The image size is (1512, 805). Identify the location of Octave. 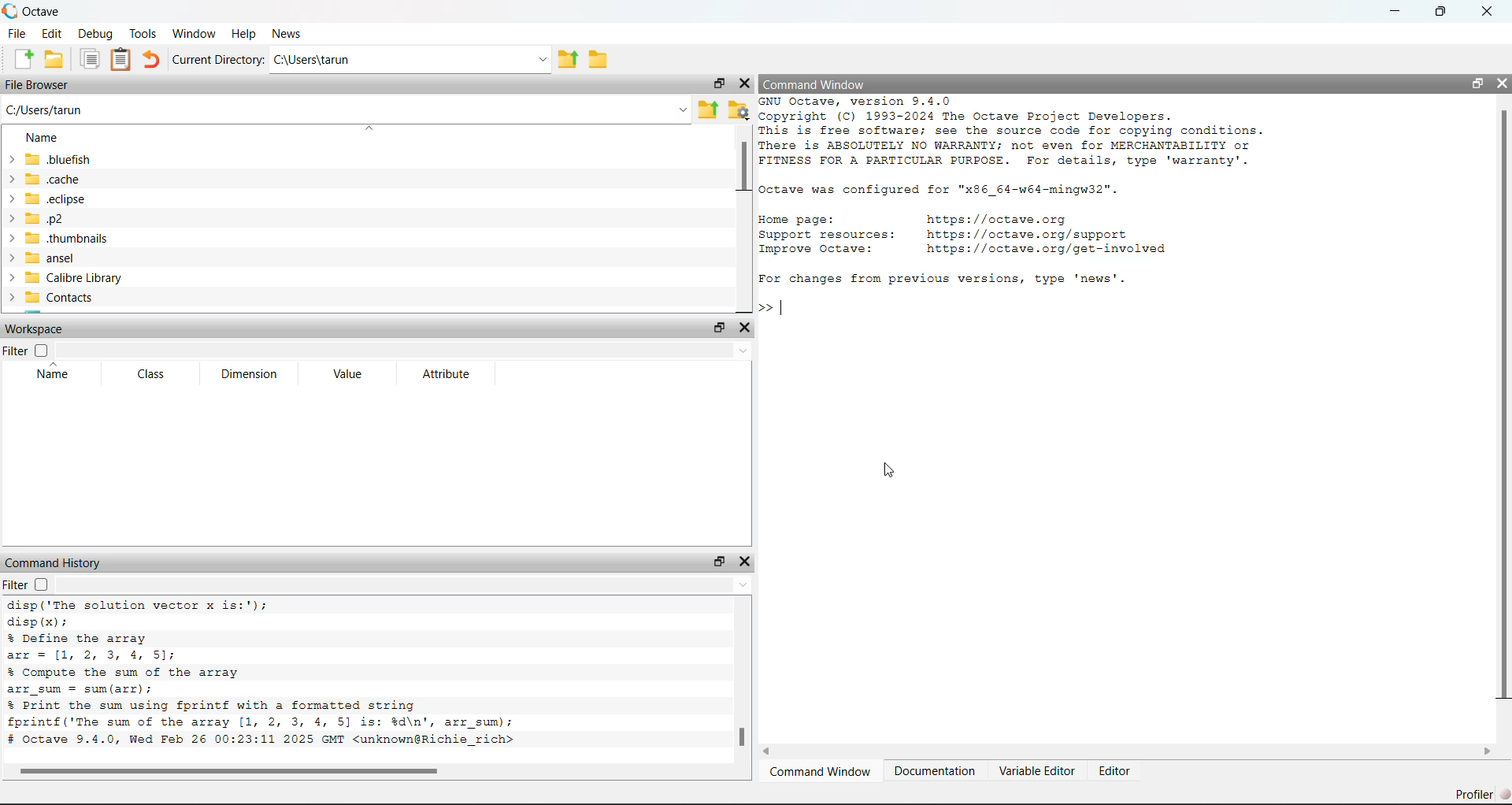
(45, 9).